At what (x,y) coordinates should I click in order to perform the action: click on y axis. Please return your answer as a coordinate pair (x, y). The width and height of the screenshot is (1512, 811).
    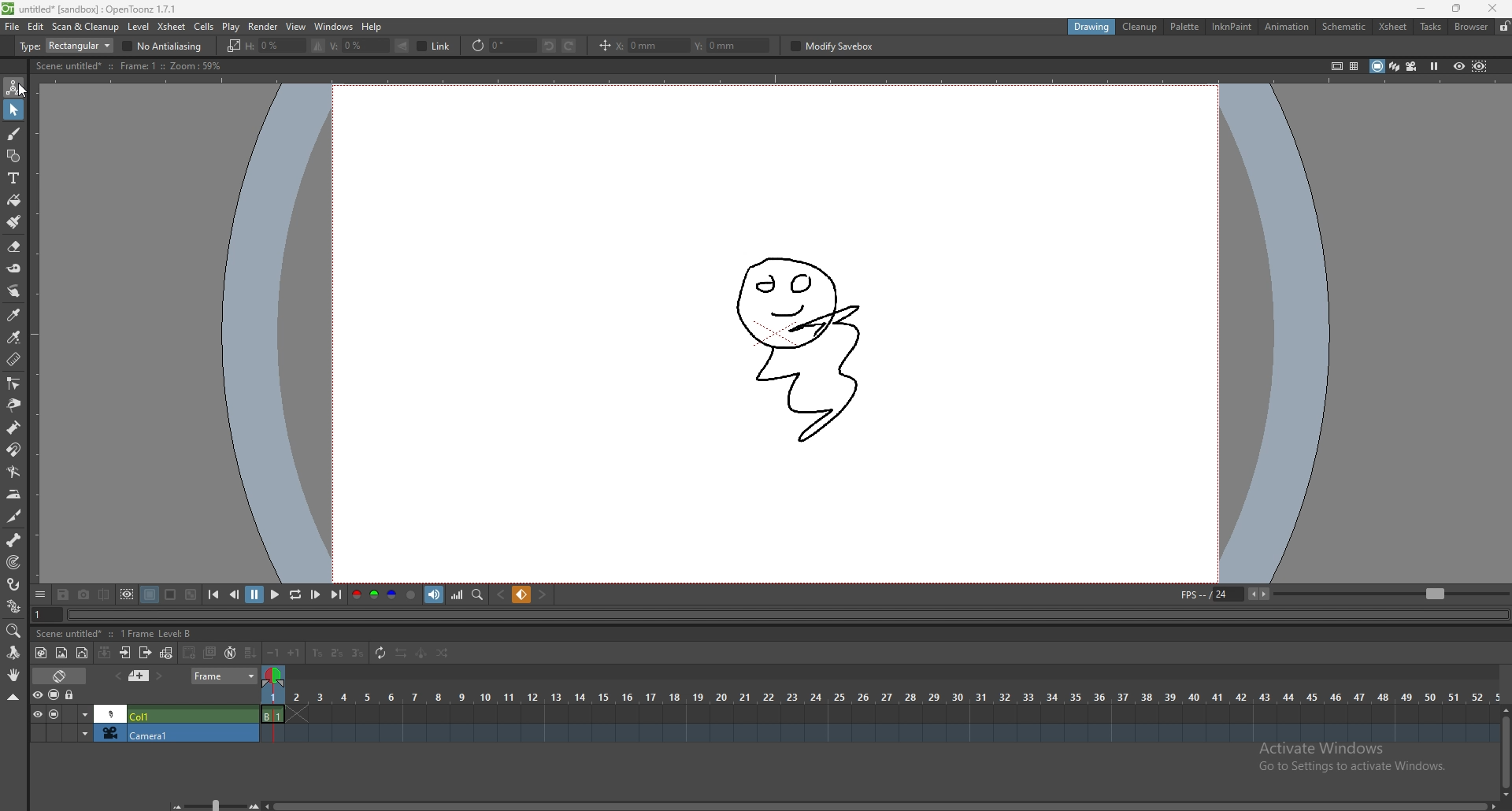
    Looking at the image, I should click on (733, 46).